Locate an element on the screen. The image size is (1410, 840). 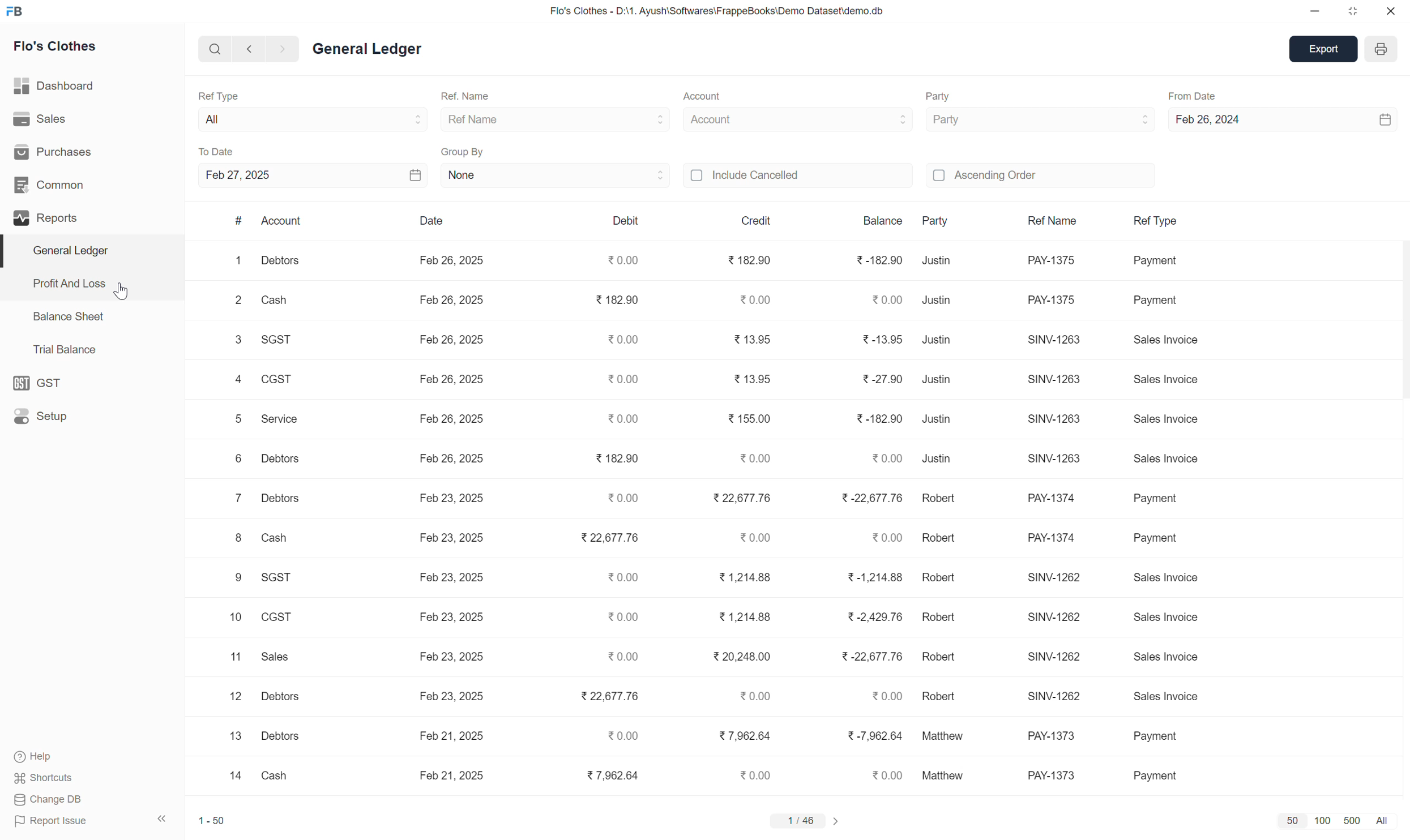
Payment is located at coordinates (1160, 769).